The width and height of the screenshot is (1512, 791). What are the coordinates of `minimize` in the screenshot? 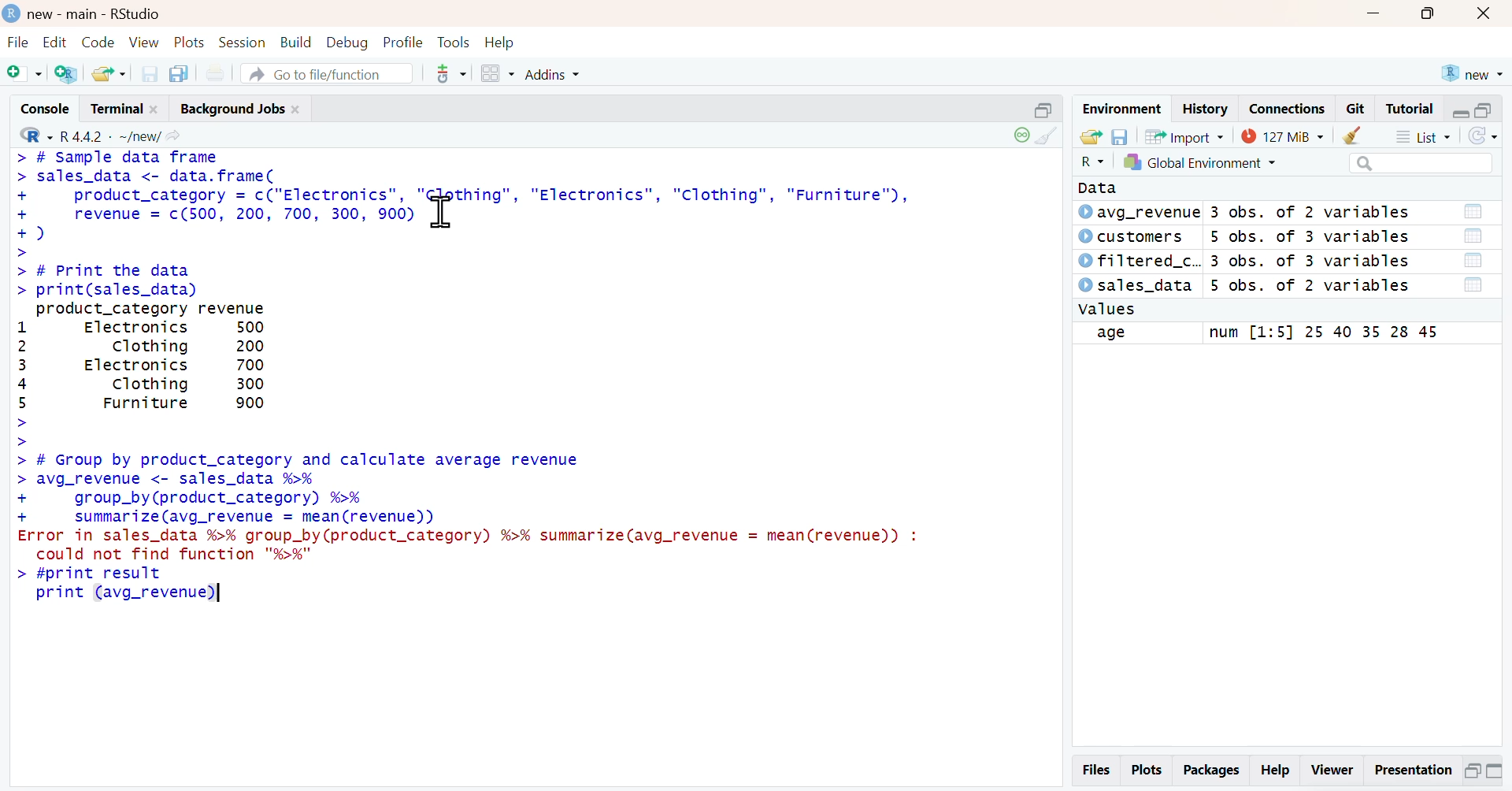 It's located at (1046, 109).